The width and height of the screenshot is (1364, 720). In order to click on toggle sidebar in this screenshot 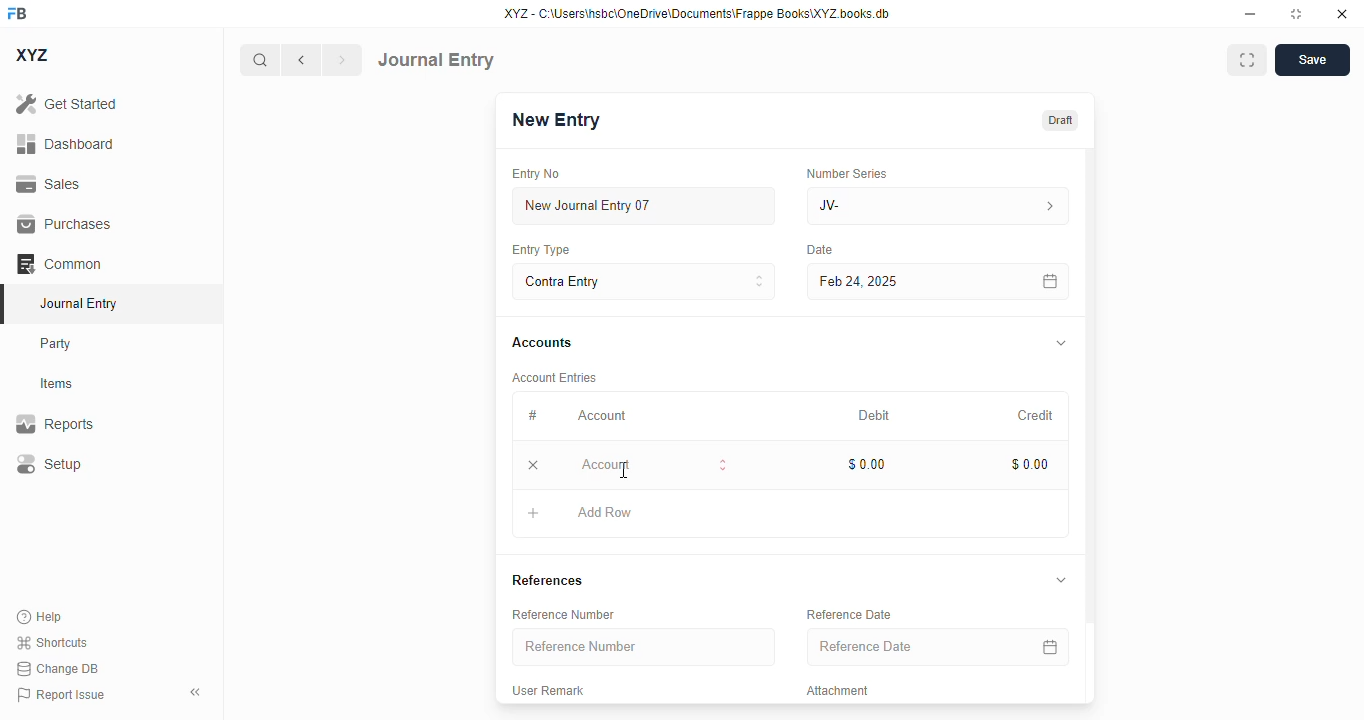, I will do `click(197, 692)`.